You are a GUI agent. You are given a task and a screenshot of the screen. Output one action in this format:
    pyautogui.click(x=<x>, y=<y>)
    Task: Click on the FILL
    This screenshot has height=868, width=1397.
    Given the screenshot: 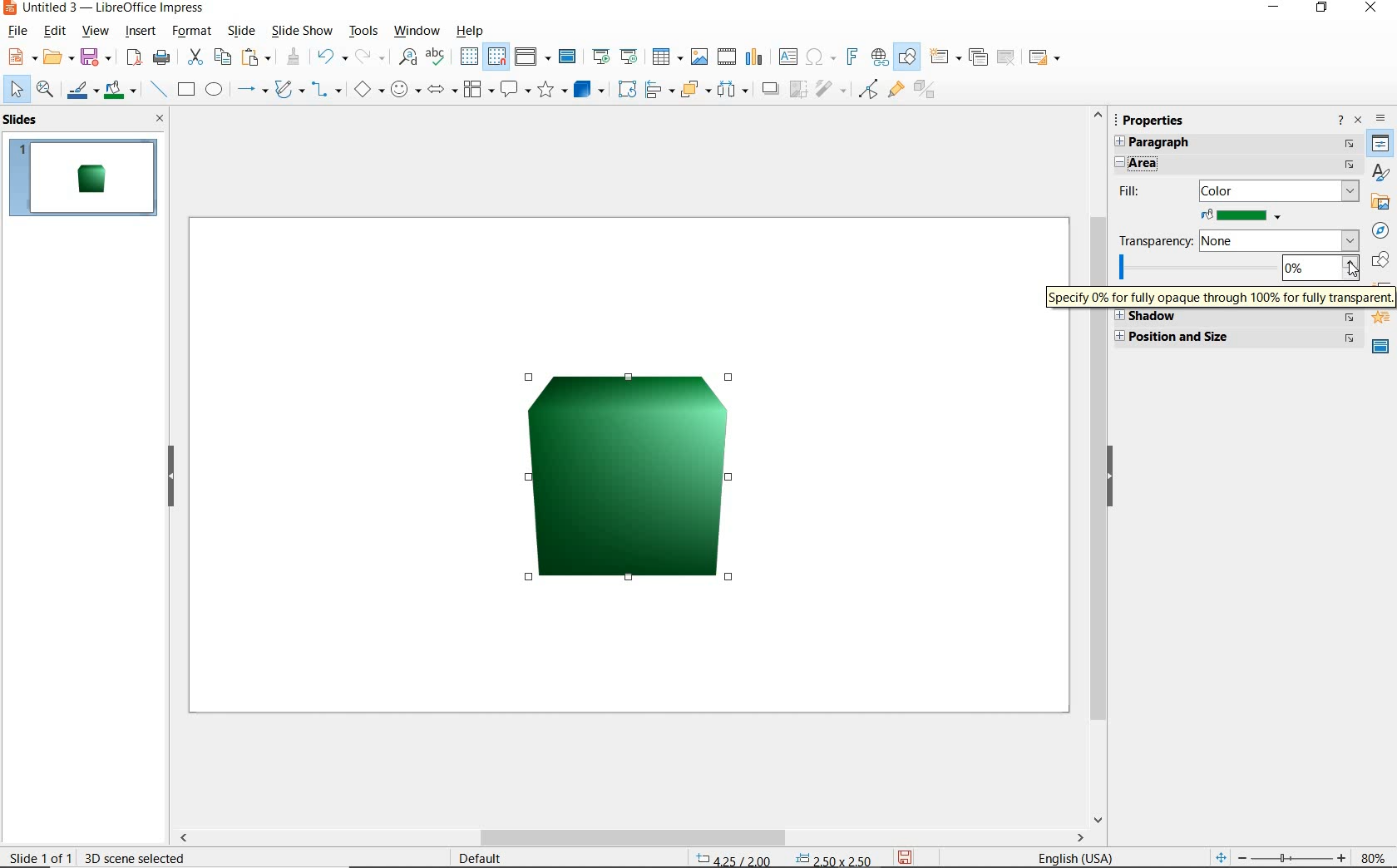 What is the action you would take?
    pyautogui.click(x=1237, y=190)
    